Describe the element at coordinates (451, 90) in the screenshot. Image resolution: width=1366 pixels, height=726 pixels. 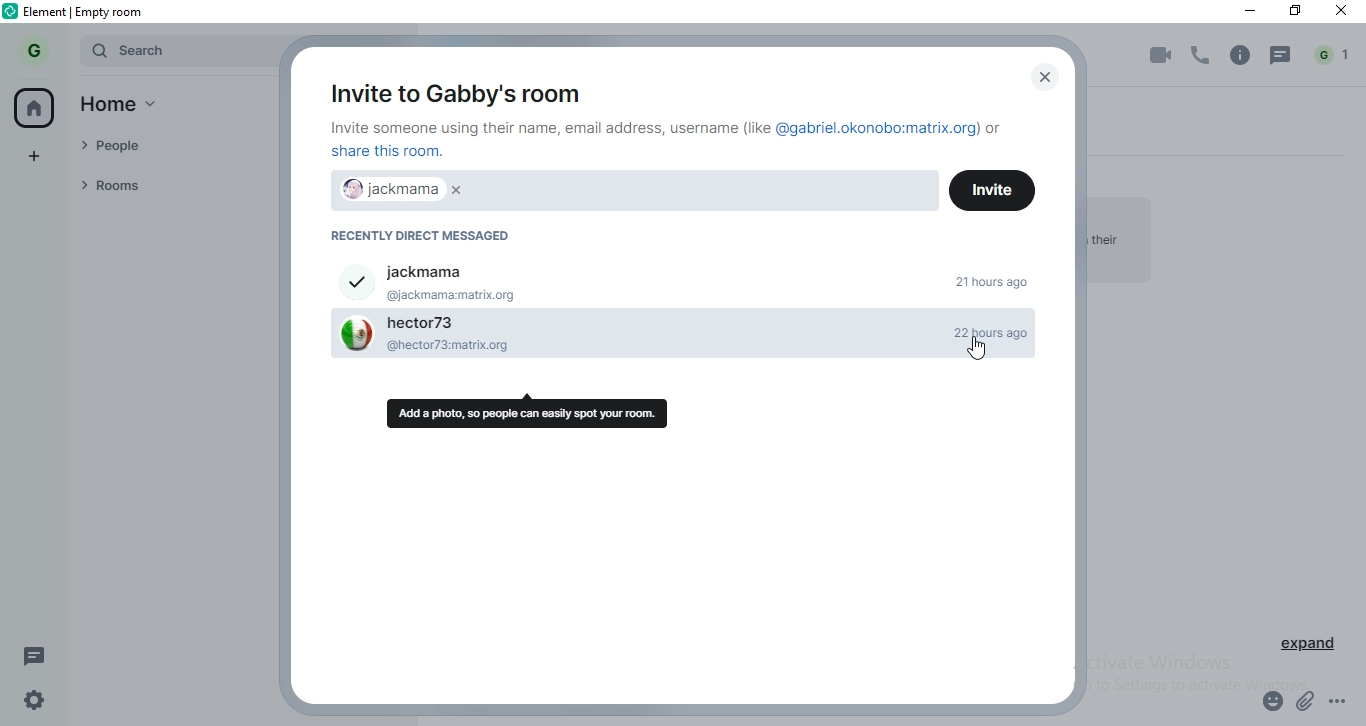
I see `invite to gabby's room` at that location.